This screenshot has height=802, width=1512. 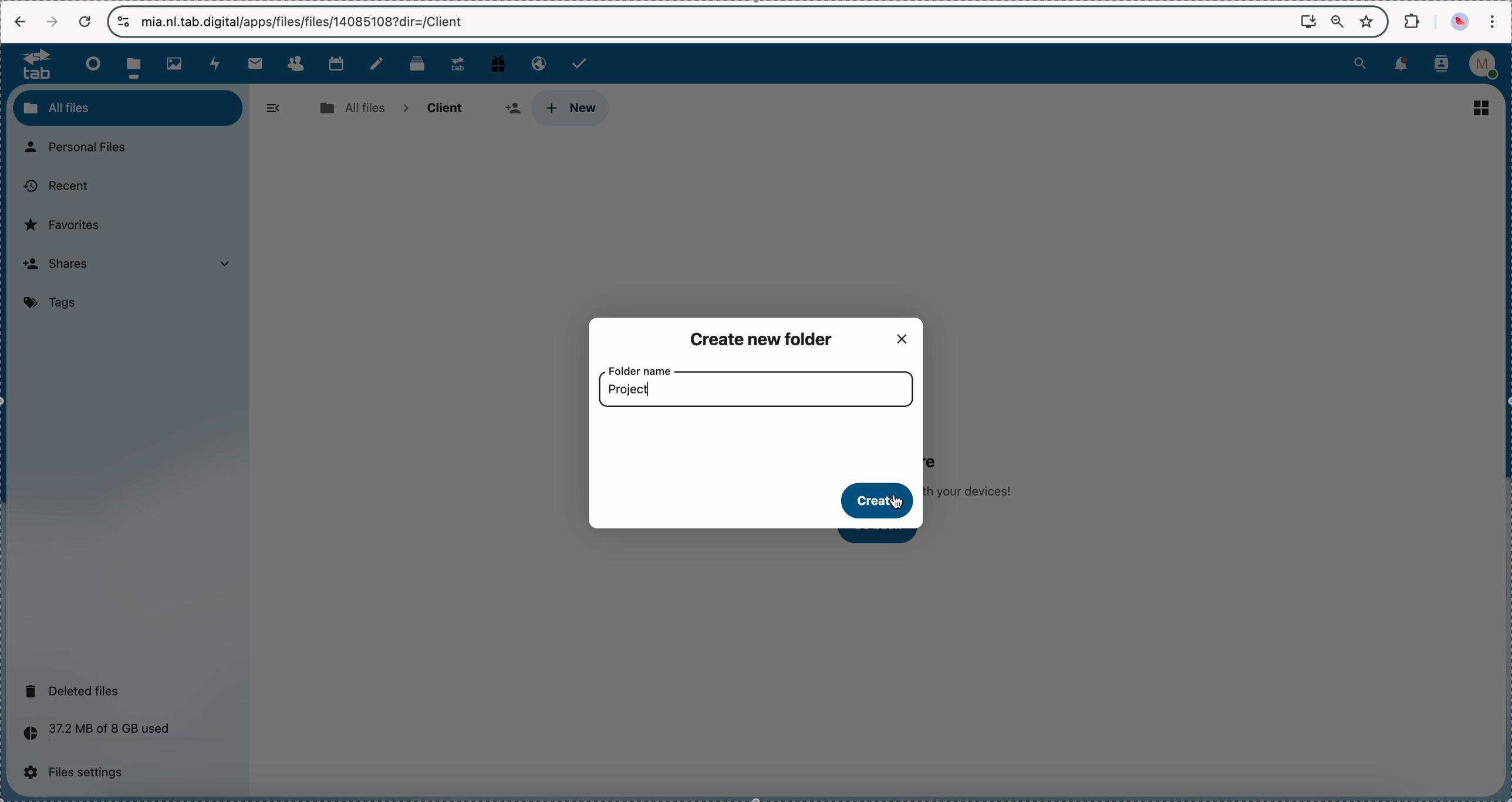 What do you see at coordinates (274, 109) in the screenshot?
I see `hide menu` at bounding box center [274, 109].